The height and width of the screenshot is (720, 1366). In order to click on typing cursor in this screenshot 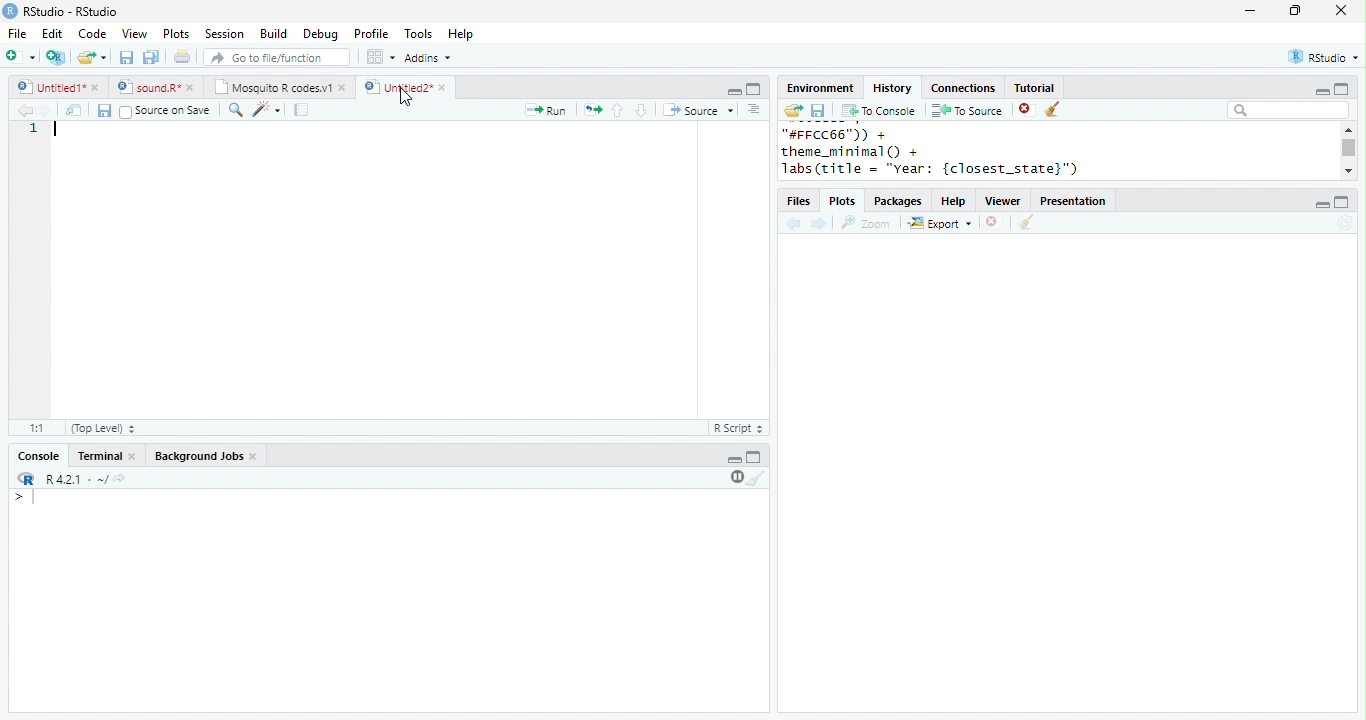, I will do `click(59, 130)`.